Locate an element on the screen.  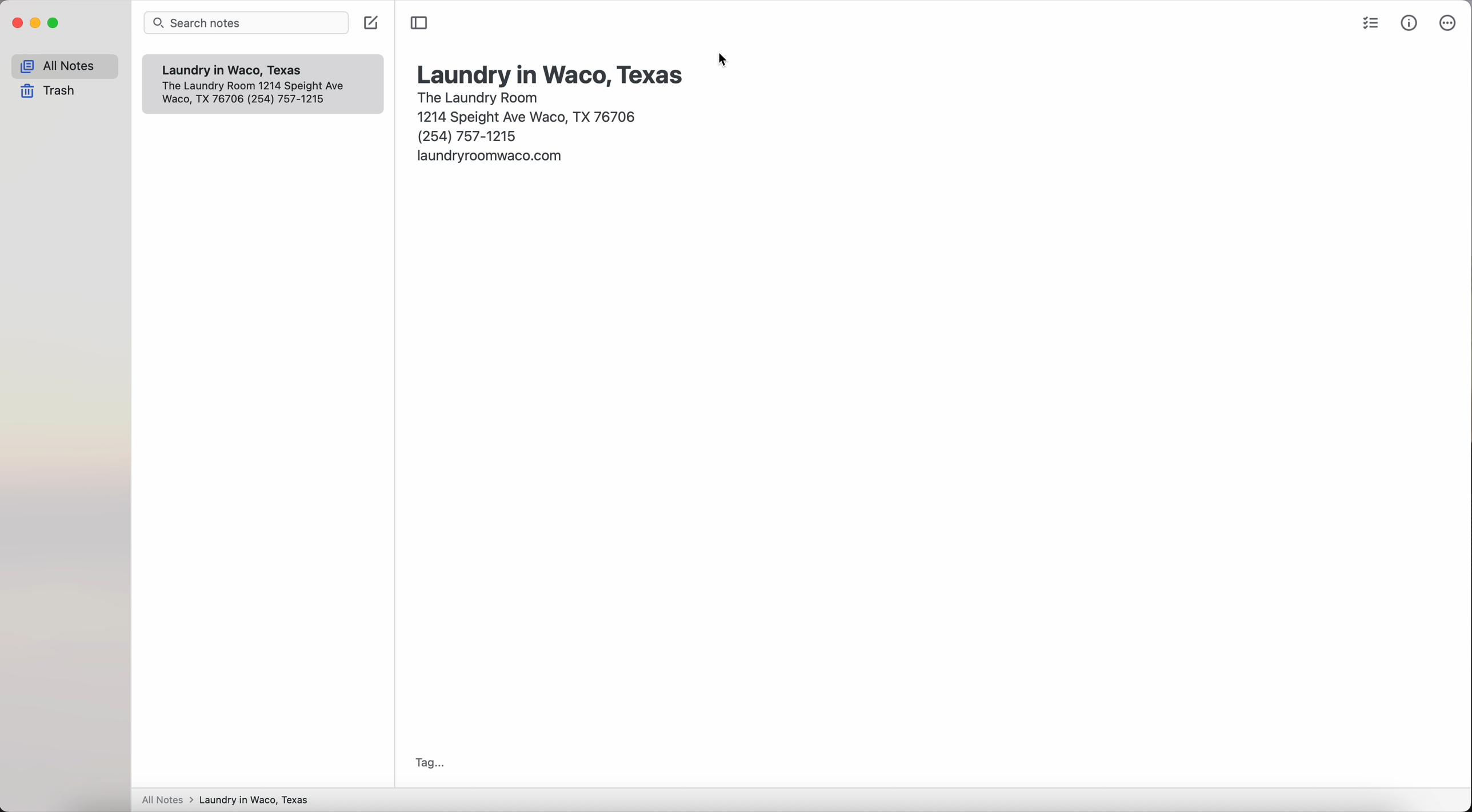
trash is located at coordinates (51, 92).